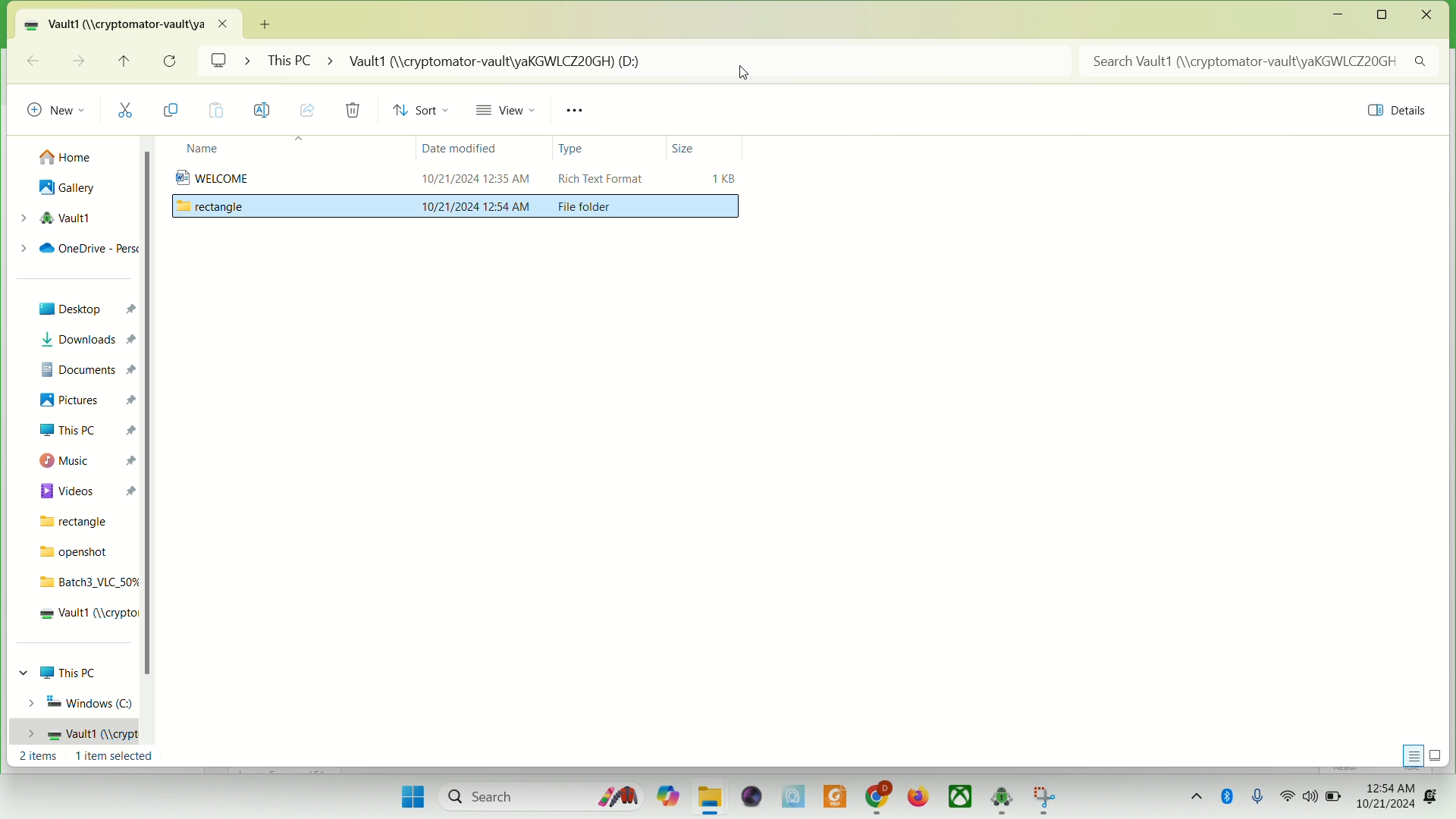 This screenshot has height=819, width=1456. What do you see at coordinates (664, 796) in the screenshot?
I see `copilet` at bounding box center [664, 796].